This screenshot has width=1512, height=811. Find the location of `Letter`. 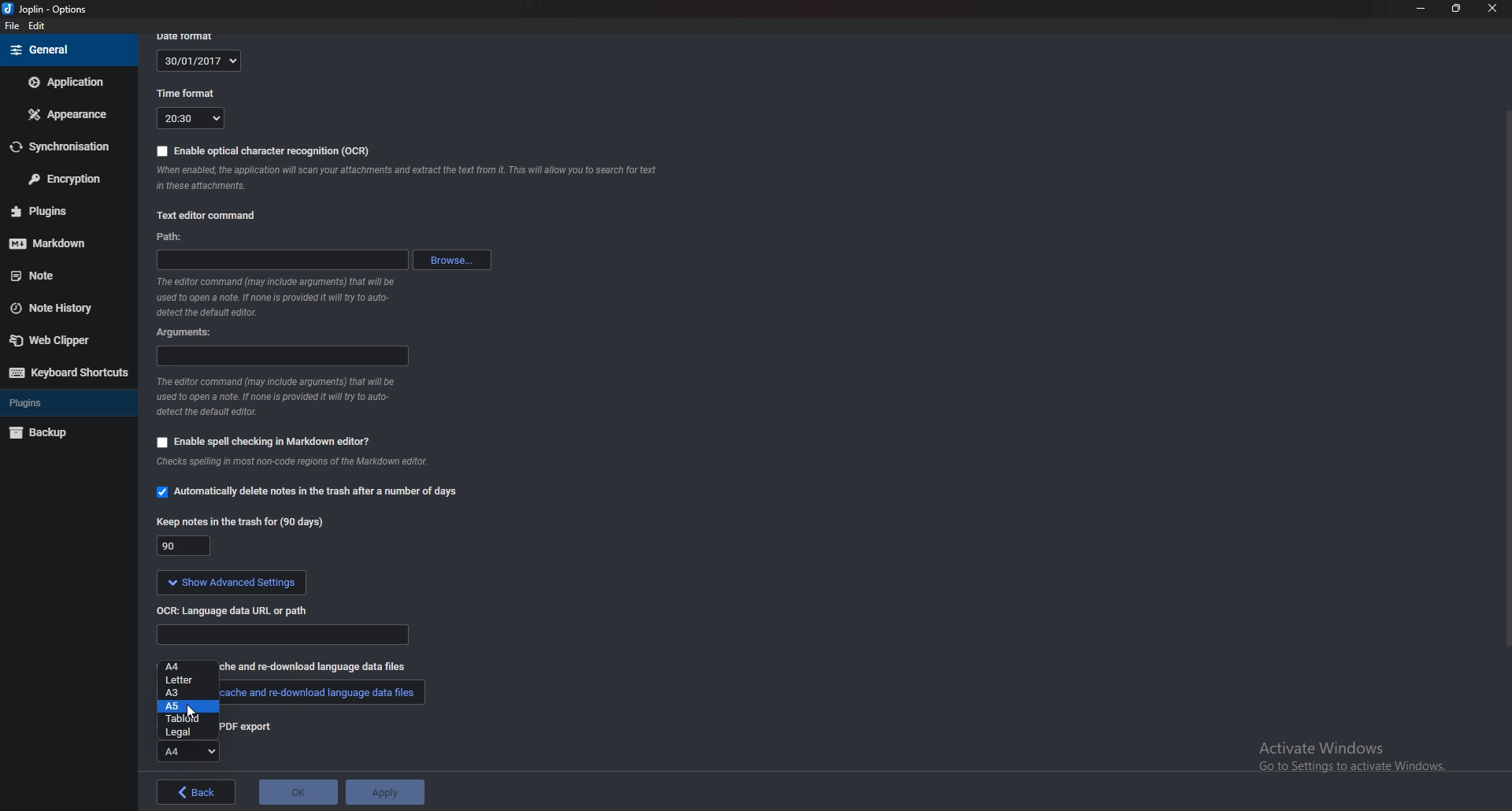

Letter is located at coordinates (189, 680).